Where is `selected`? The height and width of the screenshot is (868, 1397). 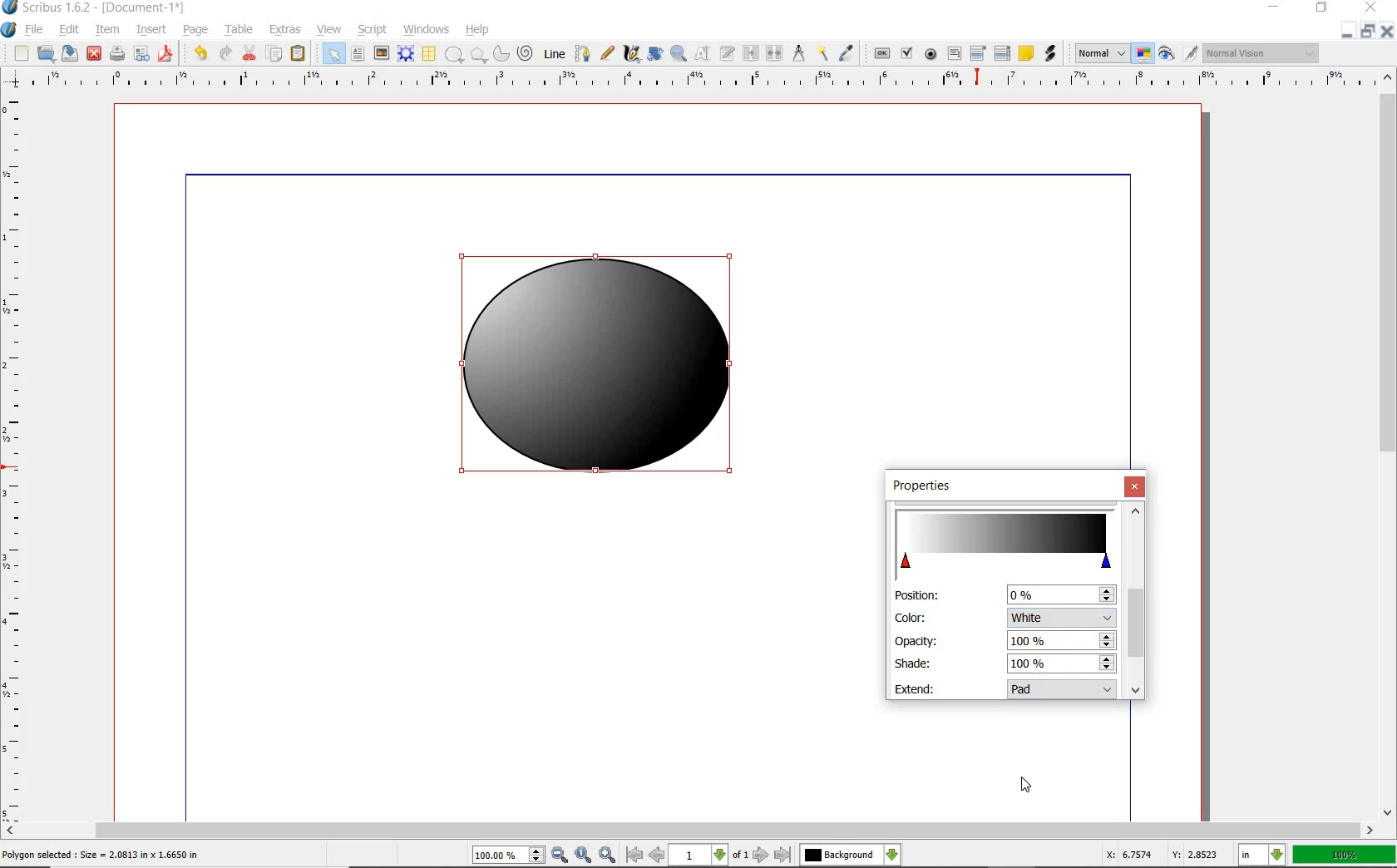 selected is located at coordinates (101, 856).